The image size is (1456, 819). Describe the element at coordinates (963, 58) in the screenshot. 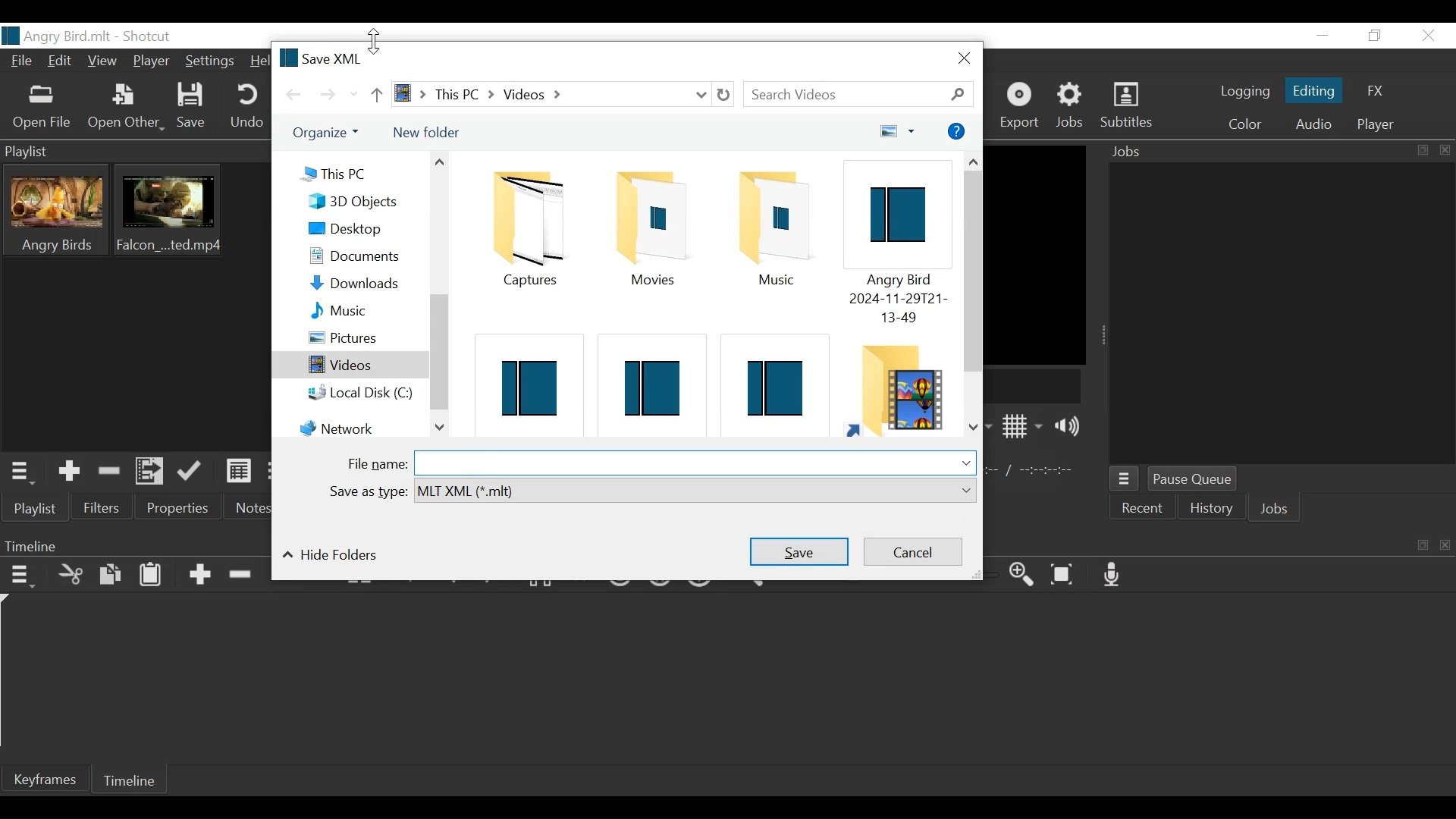

I see `Cose` at that location.